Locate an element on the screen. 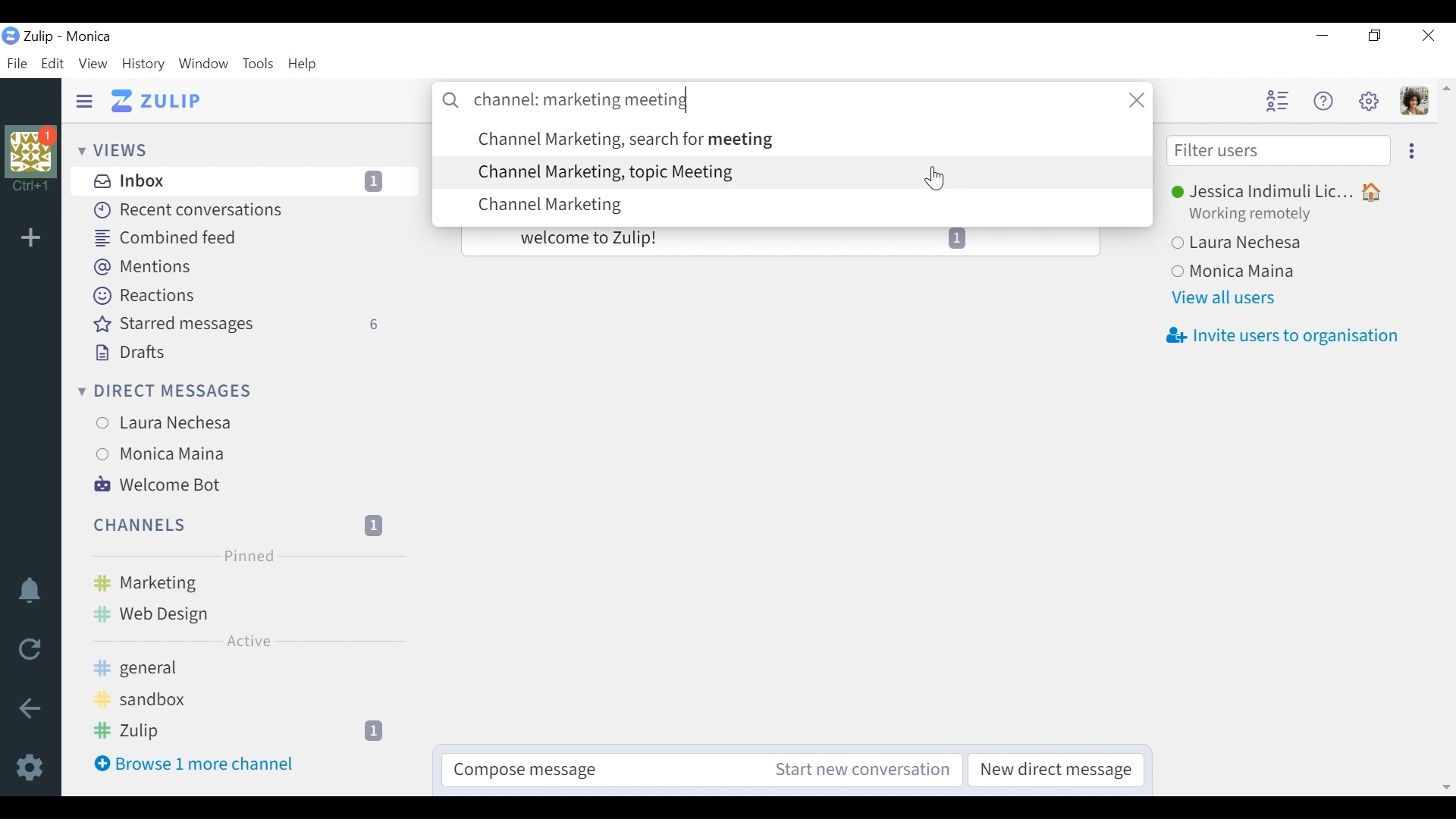 The width and height of the screenshot is (1456, 819). Monica Maina is located at coordinates (202, 456).